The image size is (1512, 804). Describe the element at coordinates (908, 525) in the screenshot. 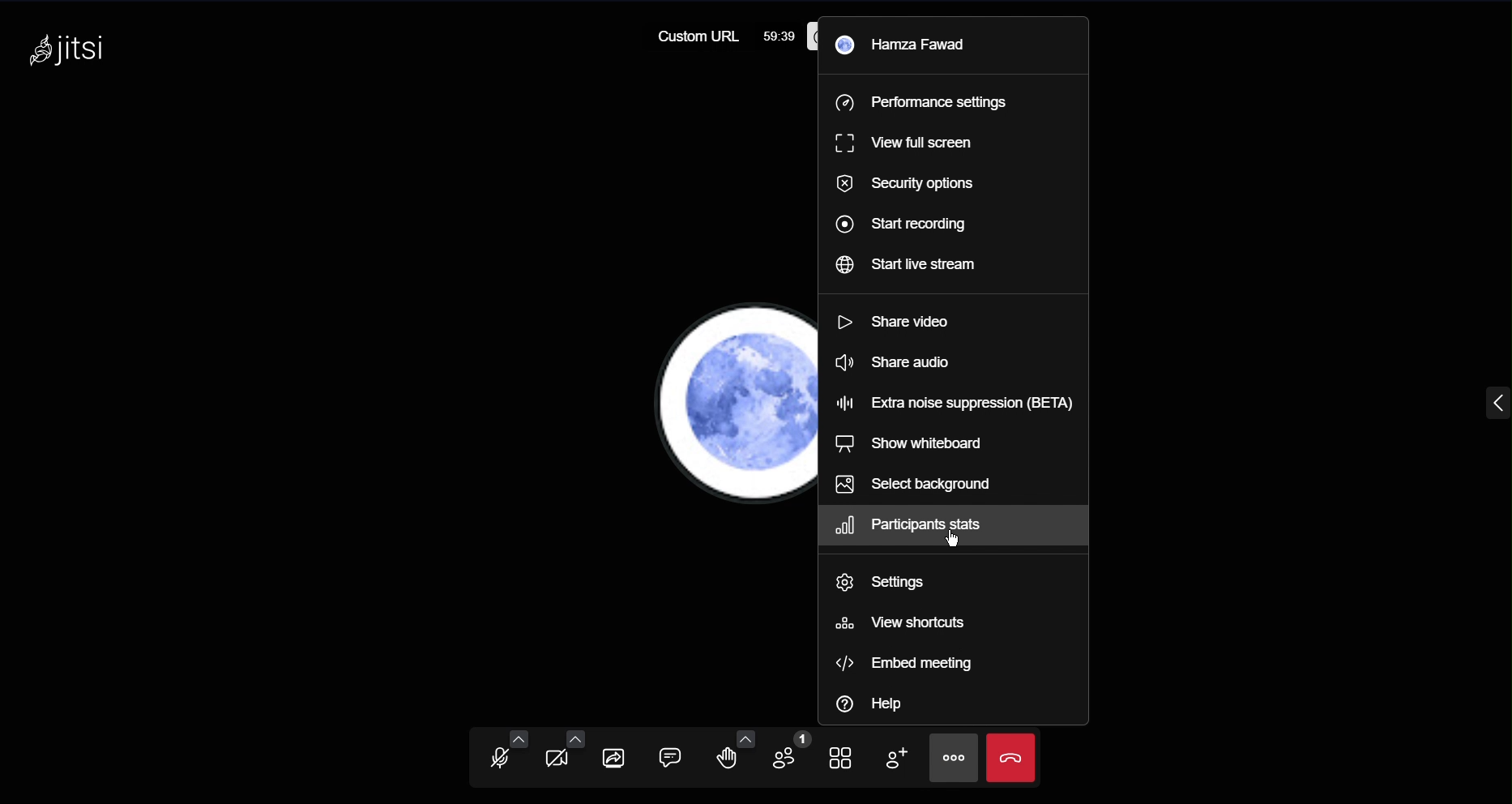

I see `Participants stats` at that location.